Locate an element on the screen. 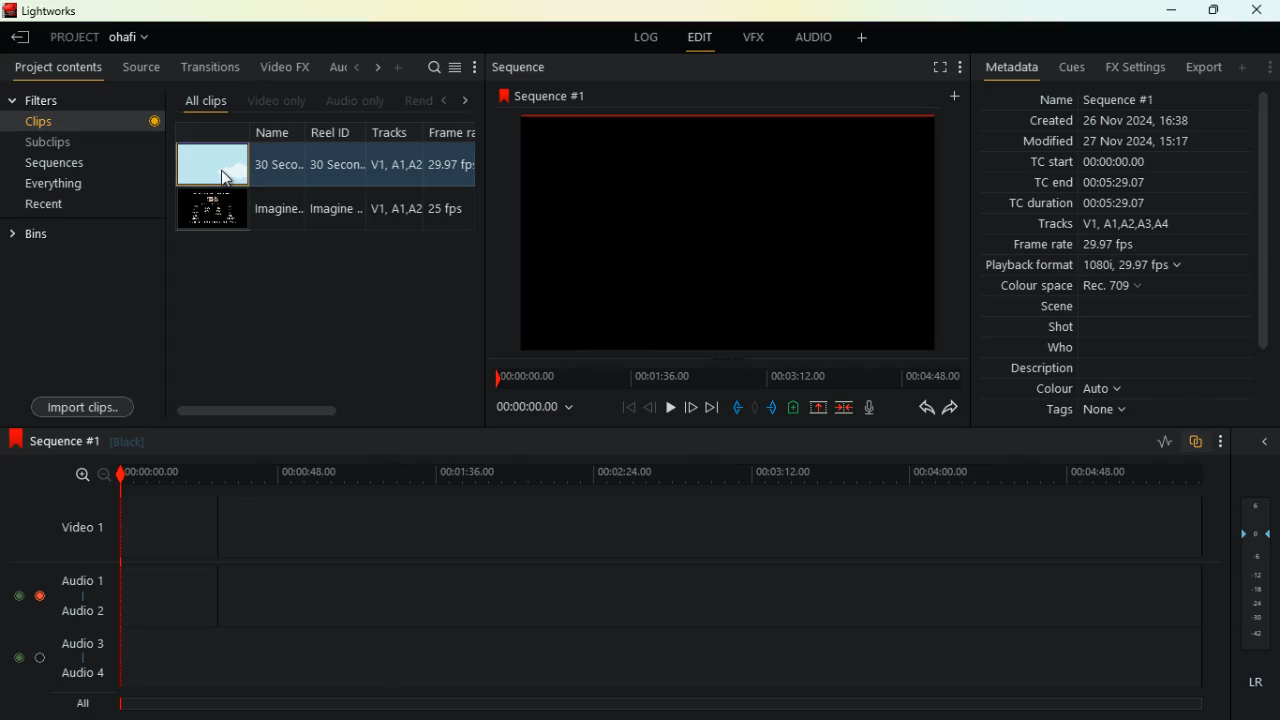  beggining is located at coordinates (620, 407).